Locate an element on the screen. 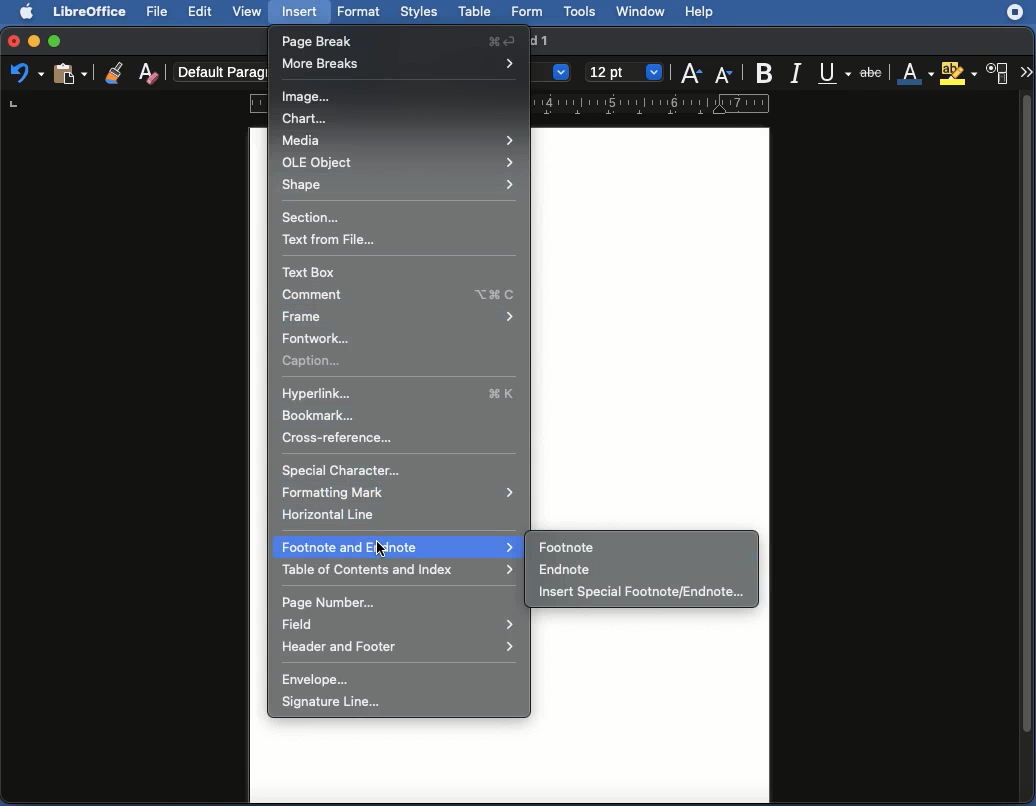 The width and height of the screenshot is (1036, 806). Image is located at coordinates (307, 96).